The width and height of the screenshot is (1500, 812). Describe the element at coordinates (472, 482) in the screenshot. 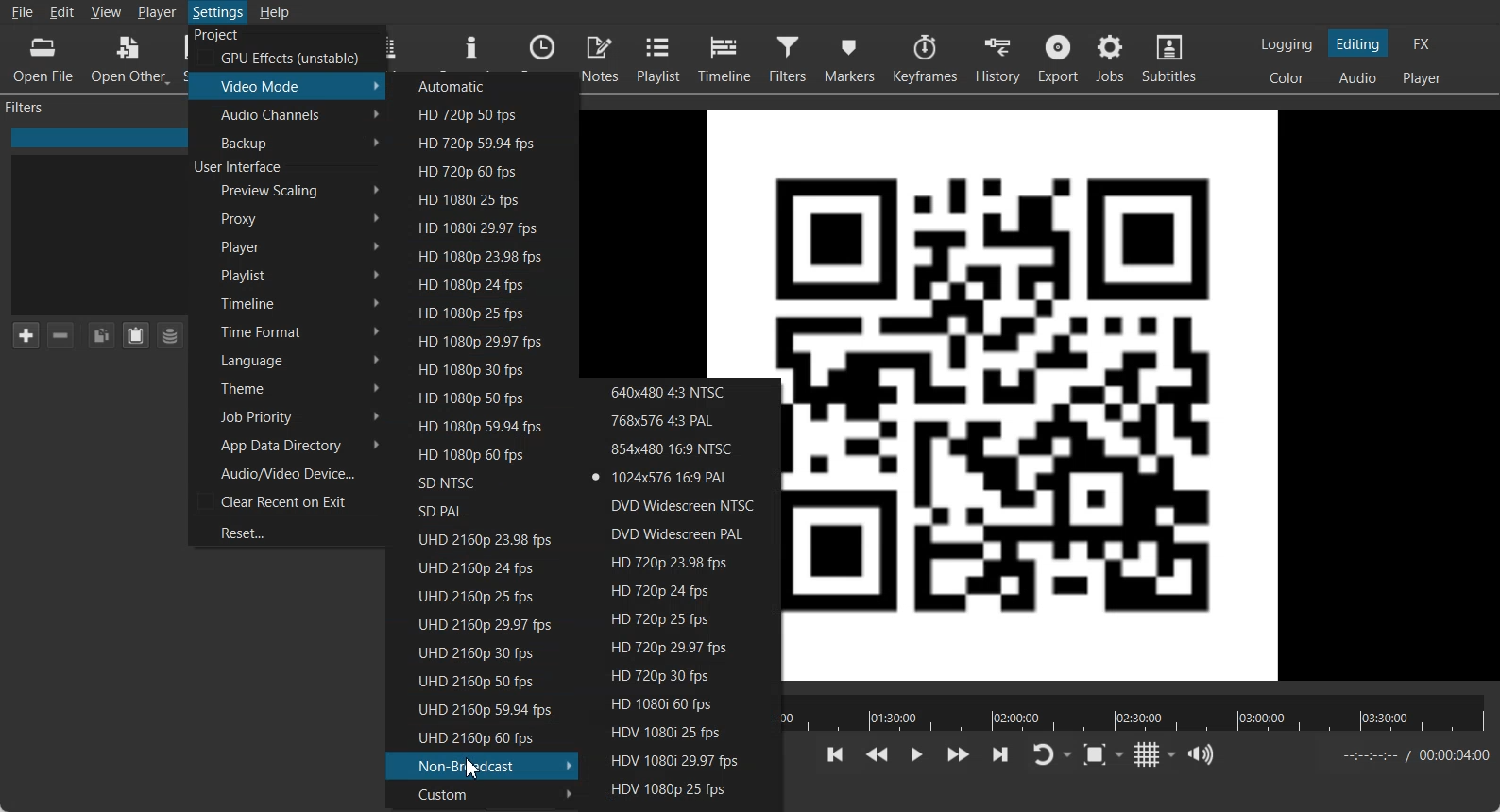

I see `SD NTSC` at that location.